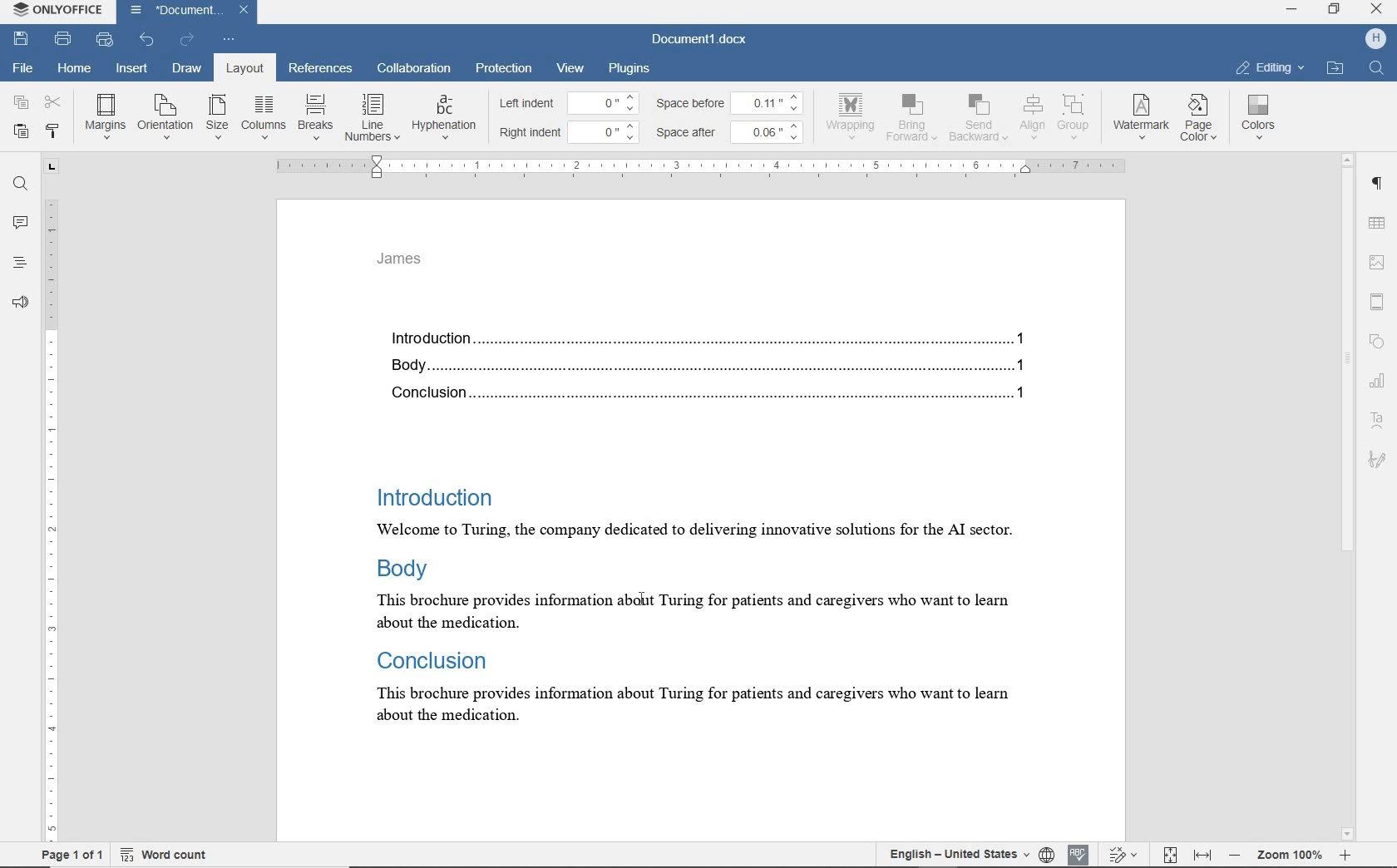  What do you see at coordinates (718, 530) in the screenshot?
I see `text` at bounding box center [718, 530].